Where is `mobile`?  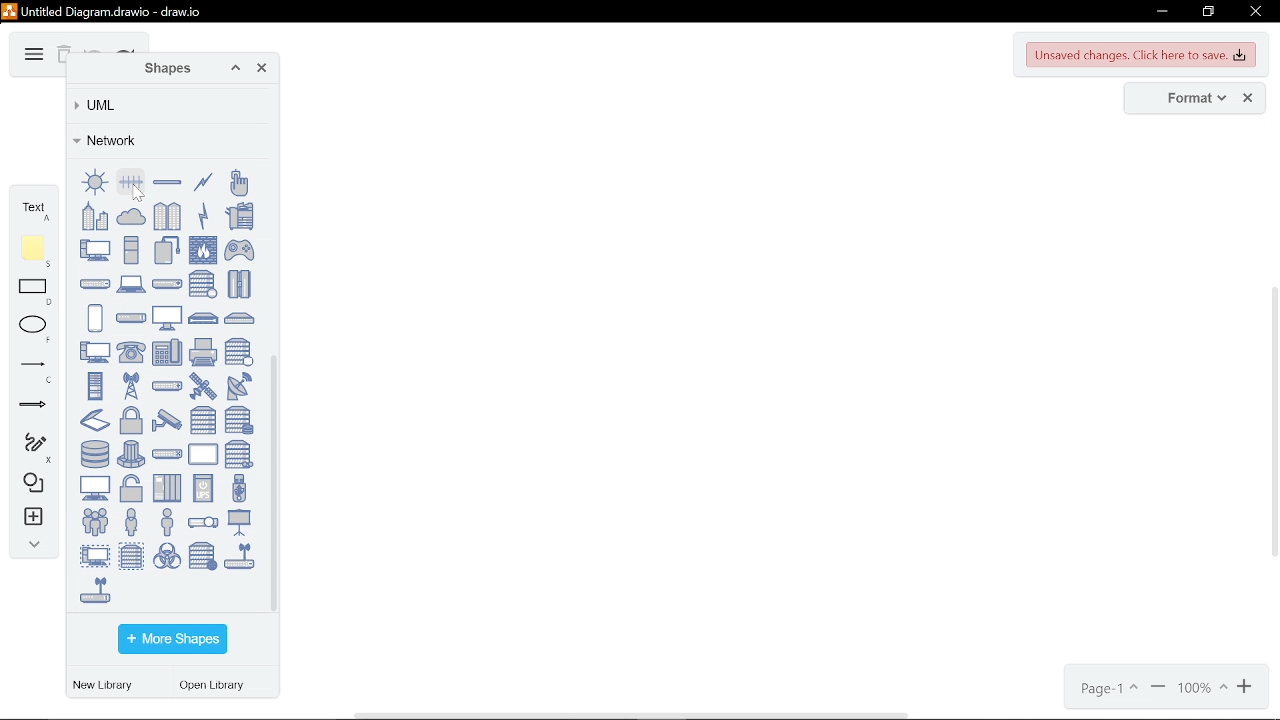
mobile is located at coordinates (95, 318).